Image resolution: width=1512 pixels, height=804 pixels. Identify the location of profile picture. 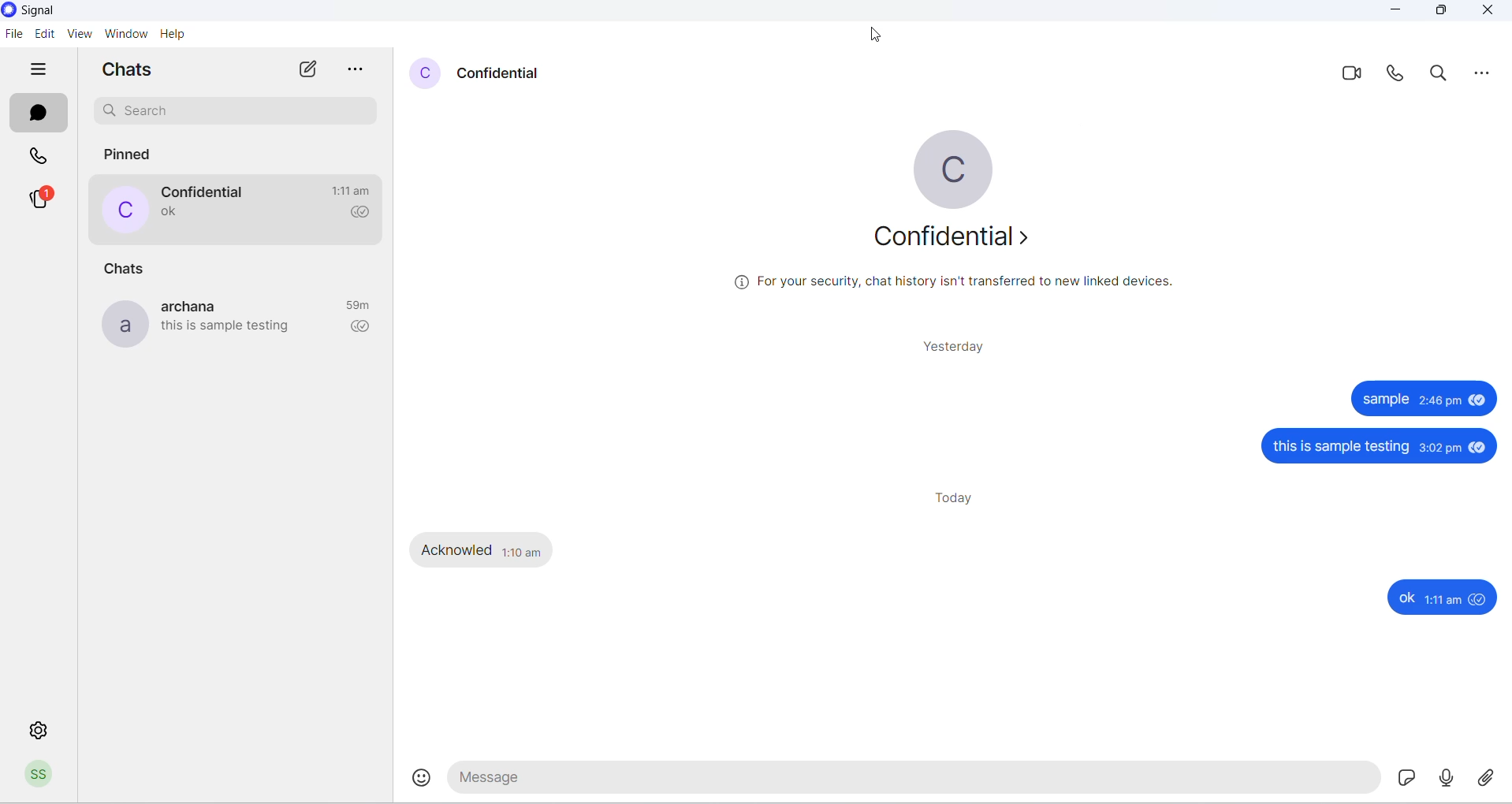
(122, 213).